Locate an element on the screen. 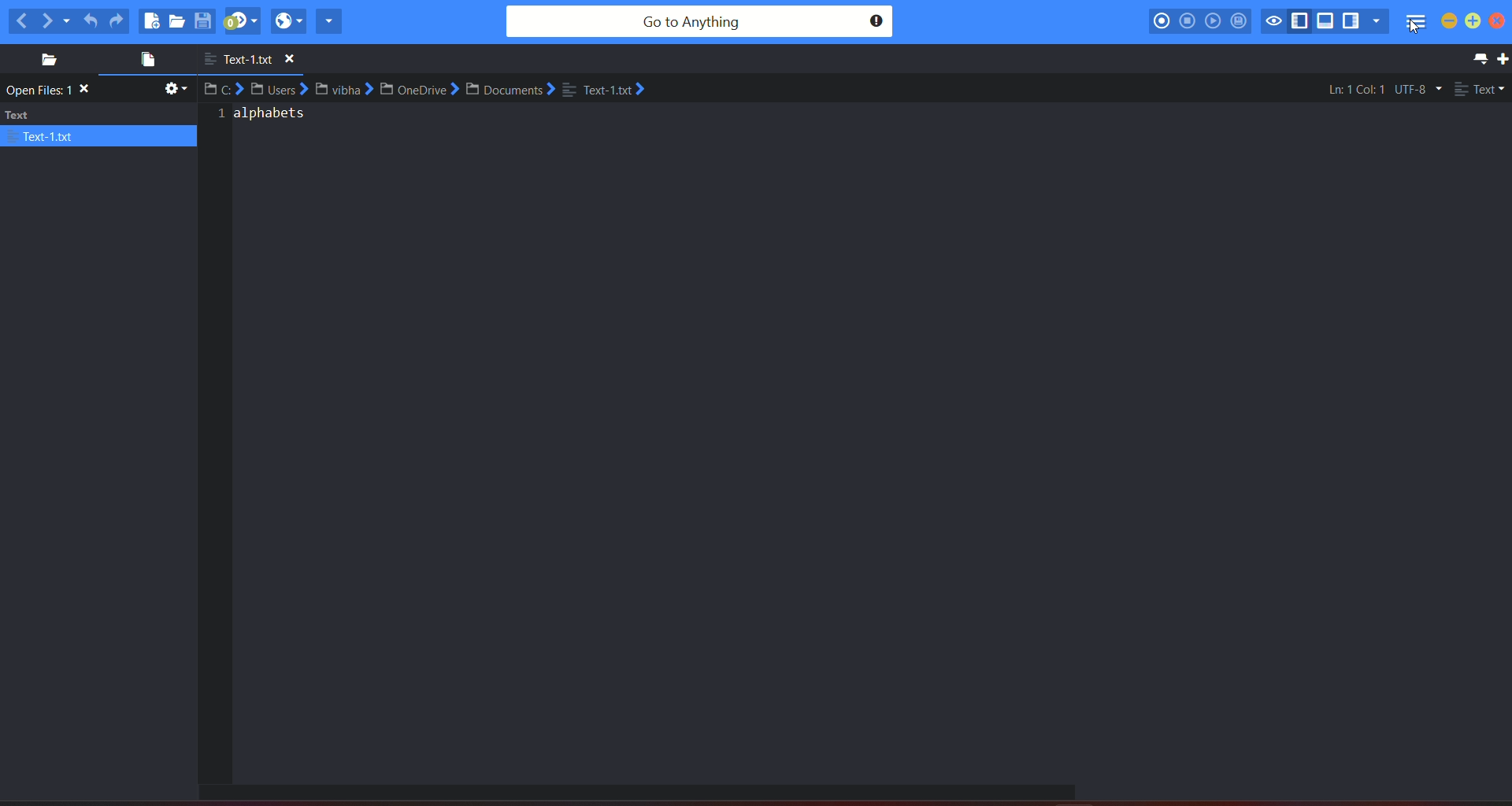 Image resolution: width=1512 pixels, height=806 pixels. open file is located at coordinates (180, 22).